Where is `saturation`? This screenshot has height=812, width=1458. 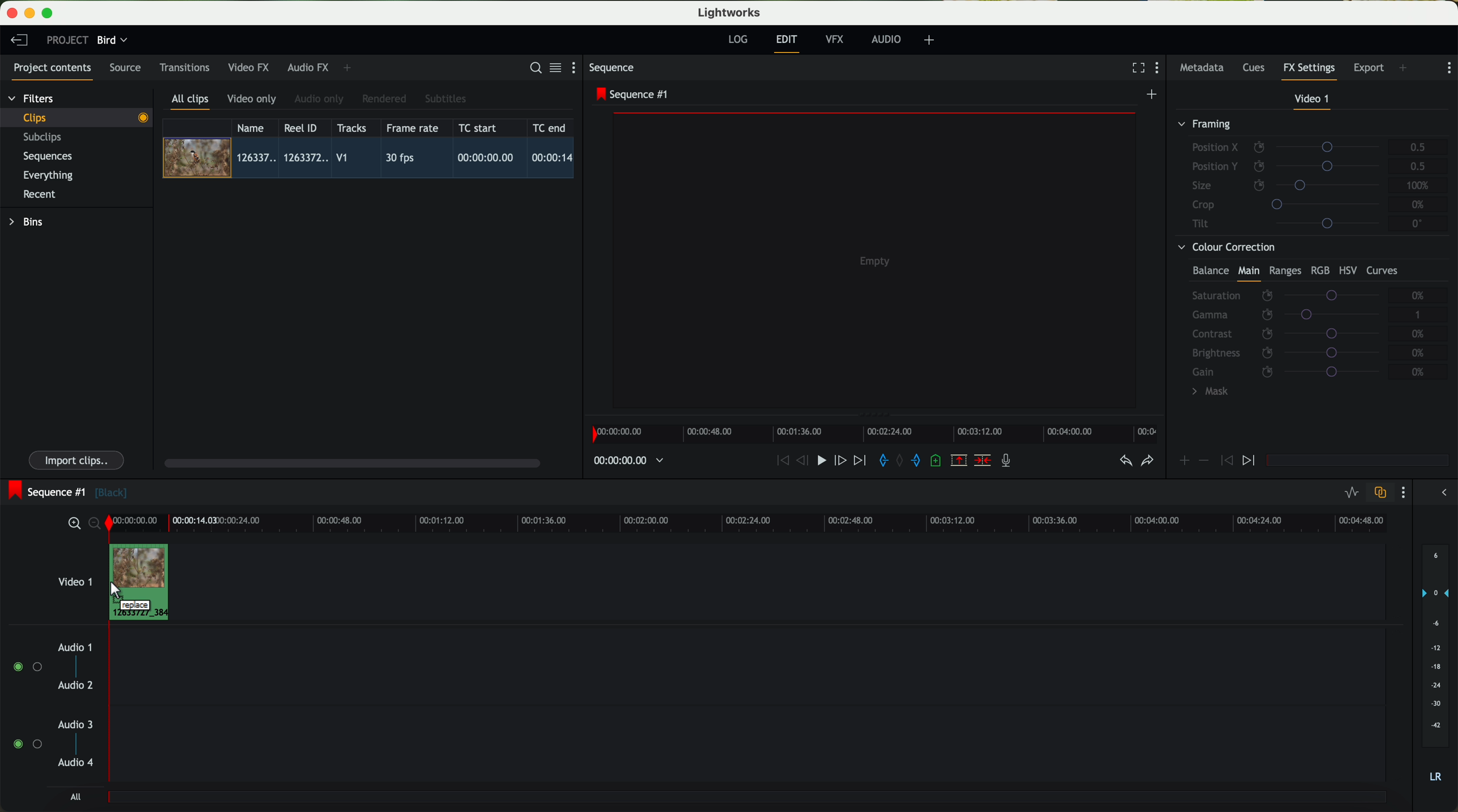
saturation is located at coordinates (1292, 295).